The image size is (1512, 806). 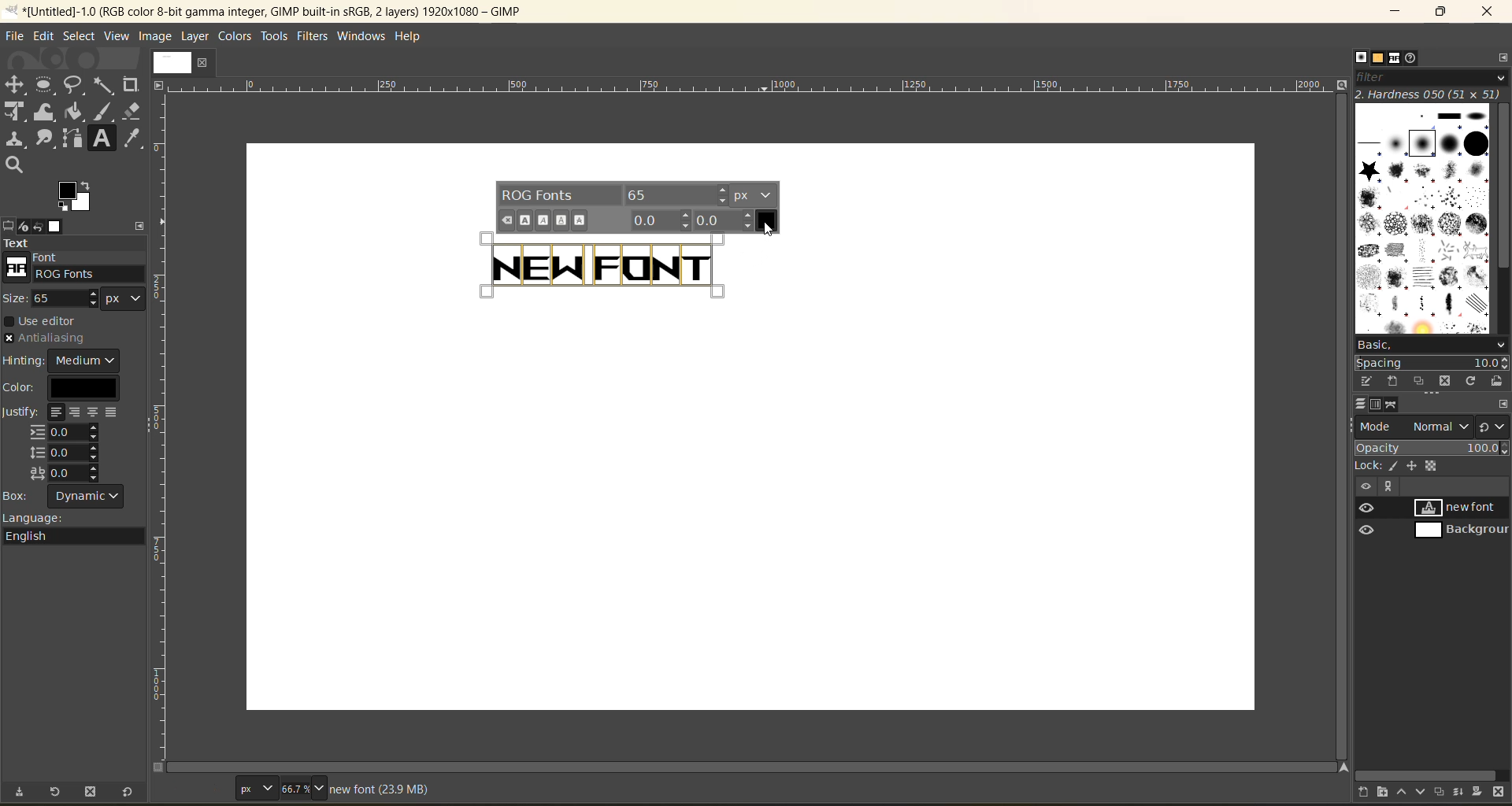 What do you see at coordinates (24, 790) in the screenshot?
I see `save tool preset` at bounding box center [24, 790].